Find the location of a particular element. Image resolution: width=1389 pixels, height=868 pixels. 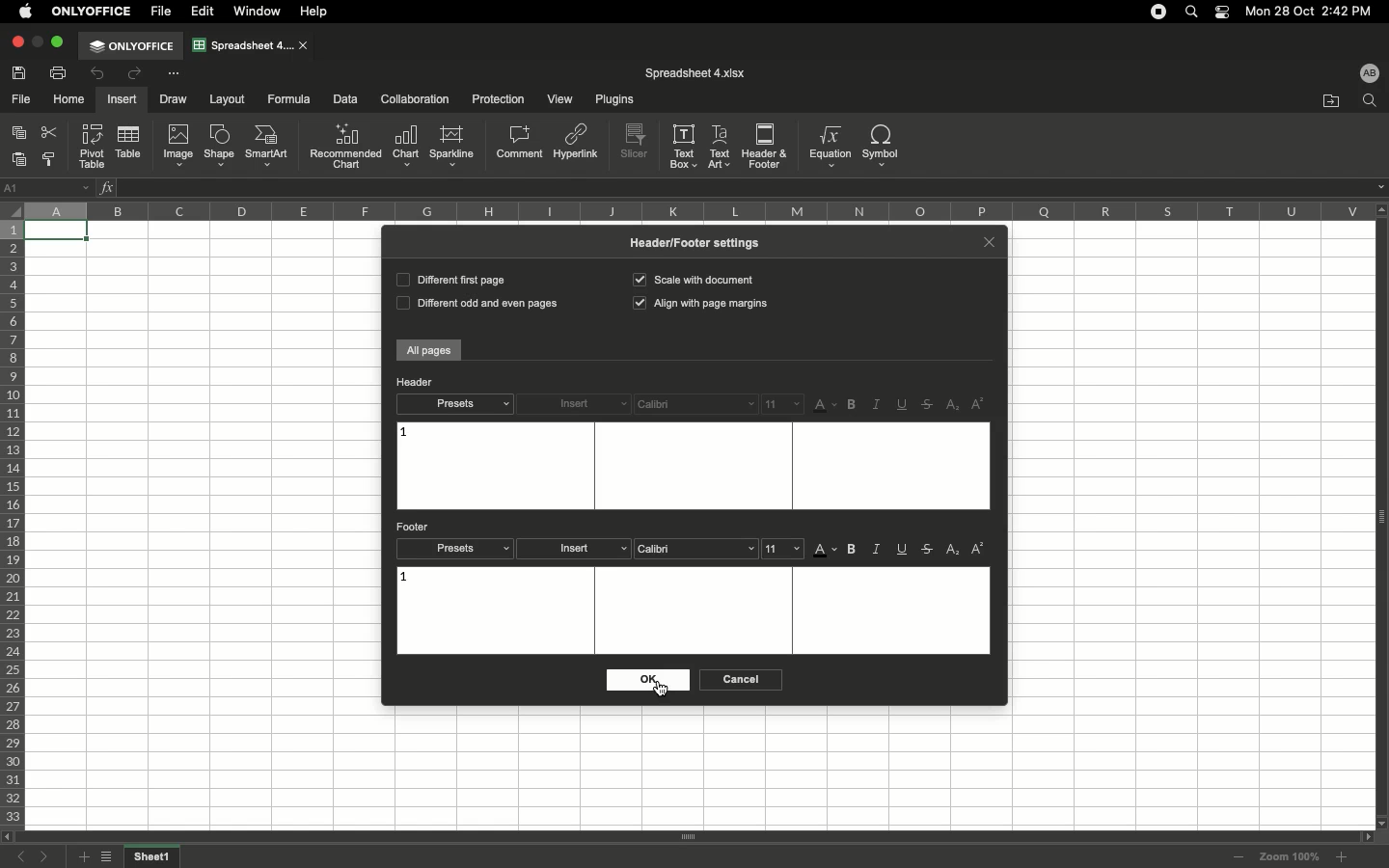

All pages is located at coordinates (429, 351).